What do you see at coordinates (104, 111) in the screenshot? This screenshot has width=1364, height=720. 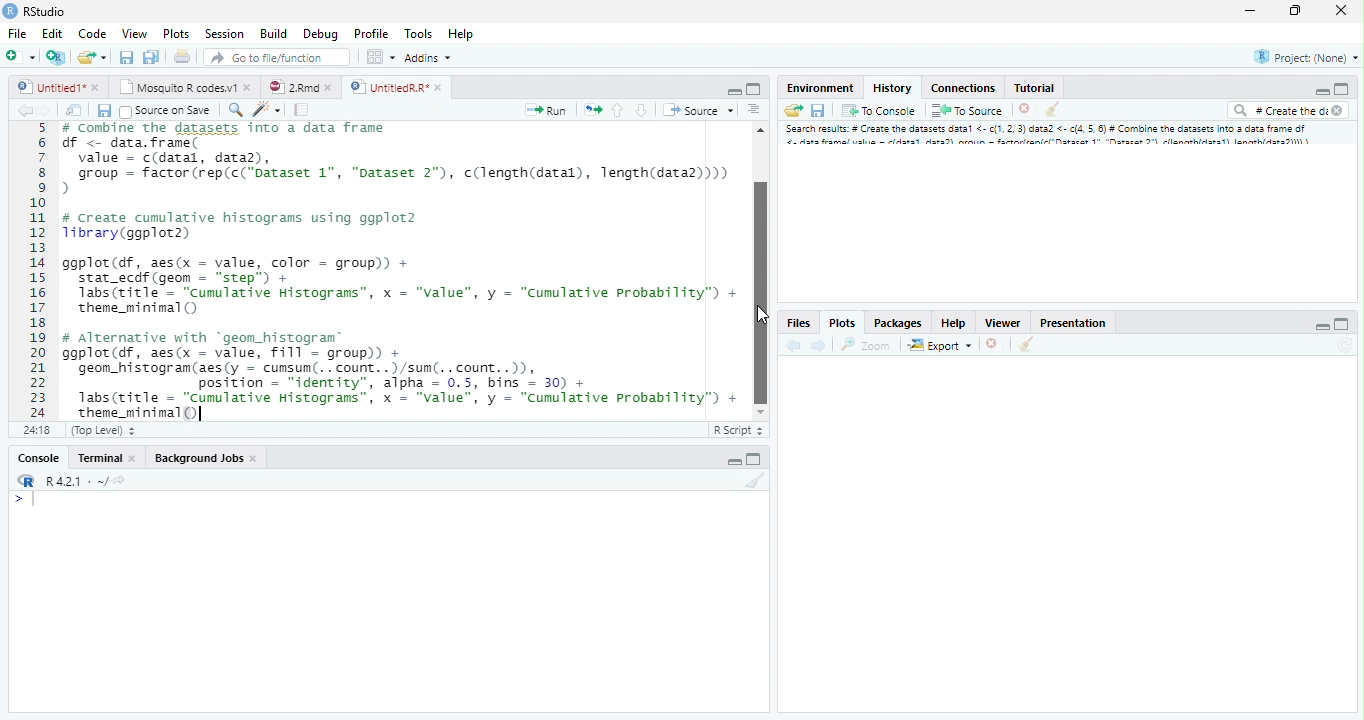 I see `Save` at bounding box center [104, 111].